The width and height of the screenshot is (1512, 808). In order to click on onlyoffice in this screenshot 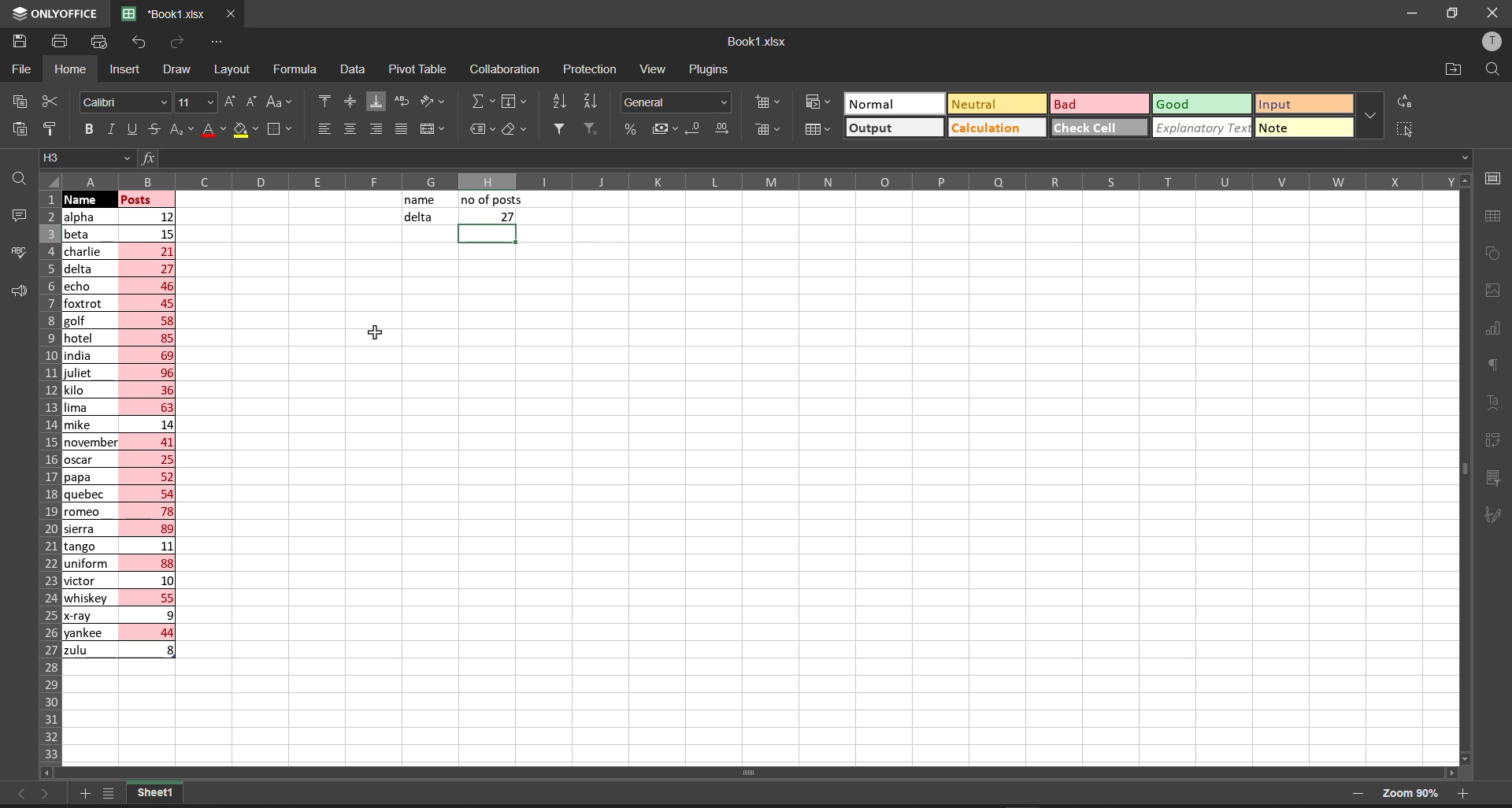, I will do `click(55, 13)`.